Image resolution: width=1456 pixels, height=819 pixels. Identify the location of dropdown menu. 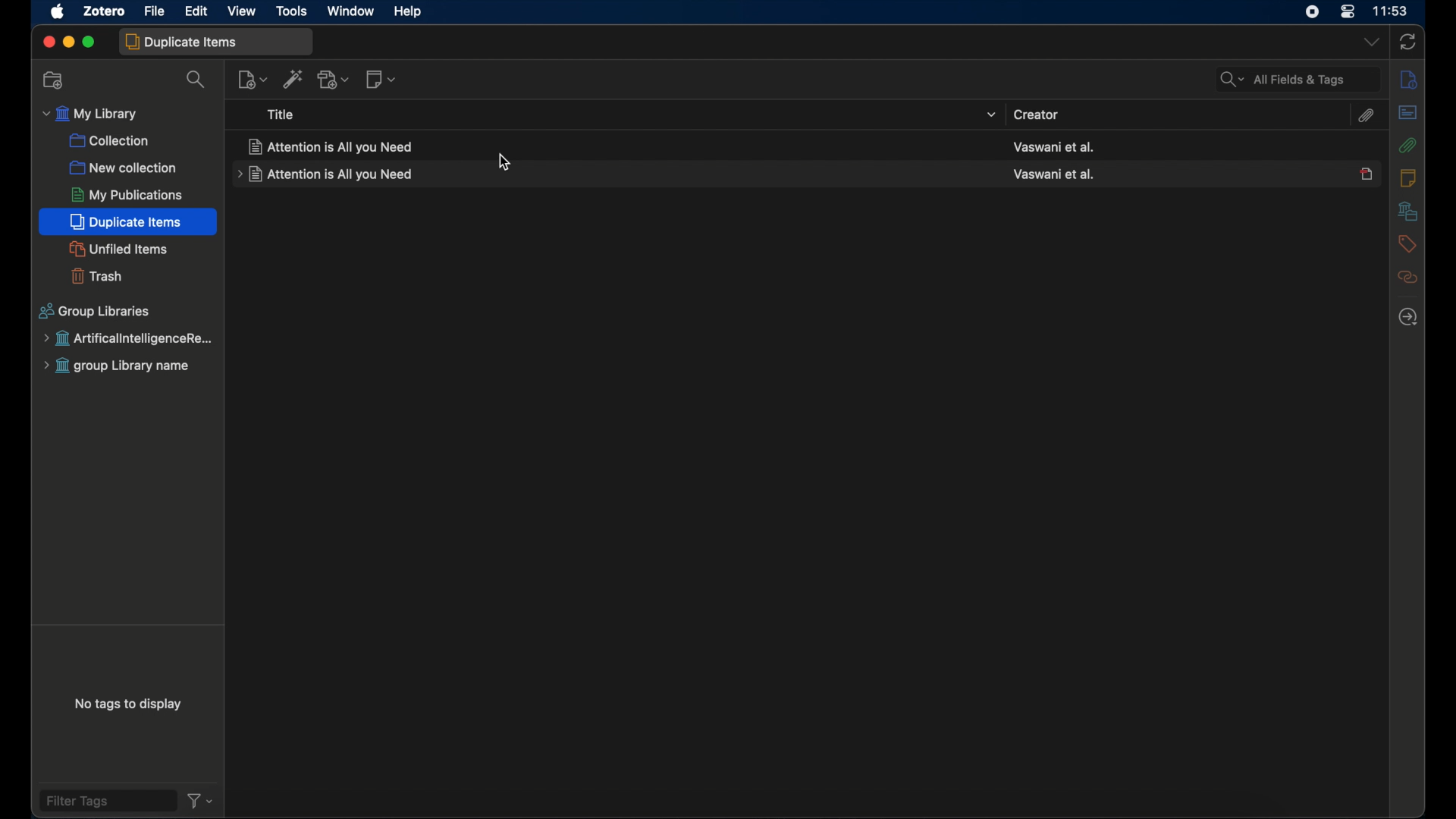
(1370, 41).